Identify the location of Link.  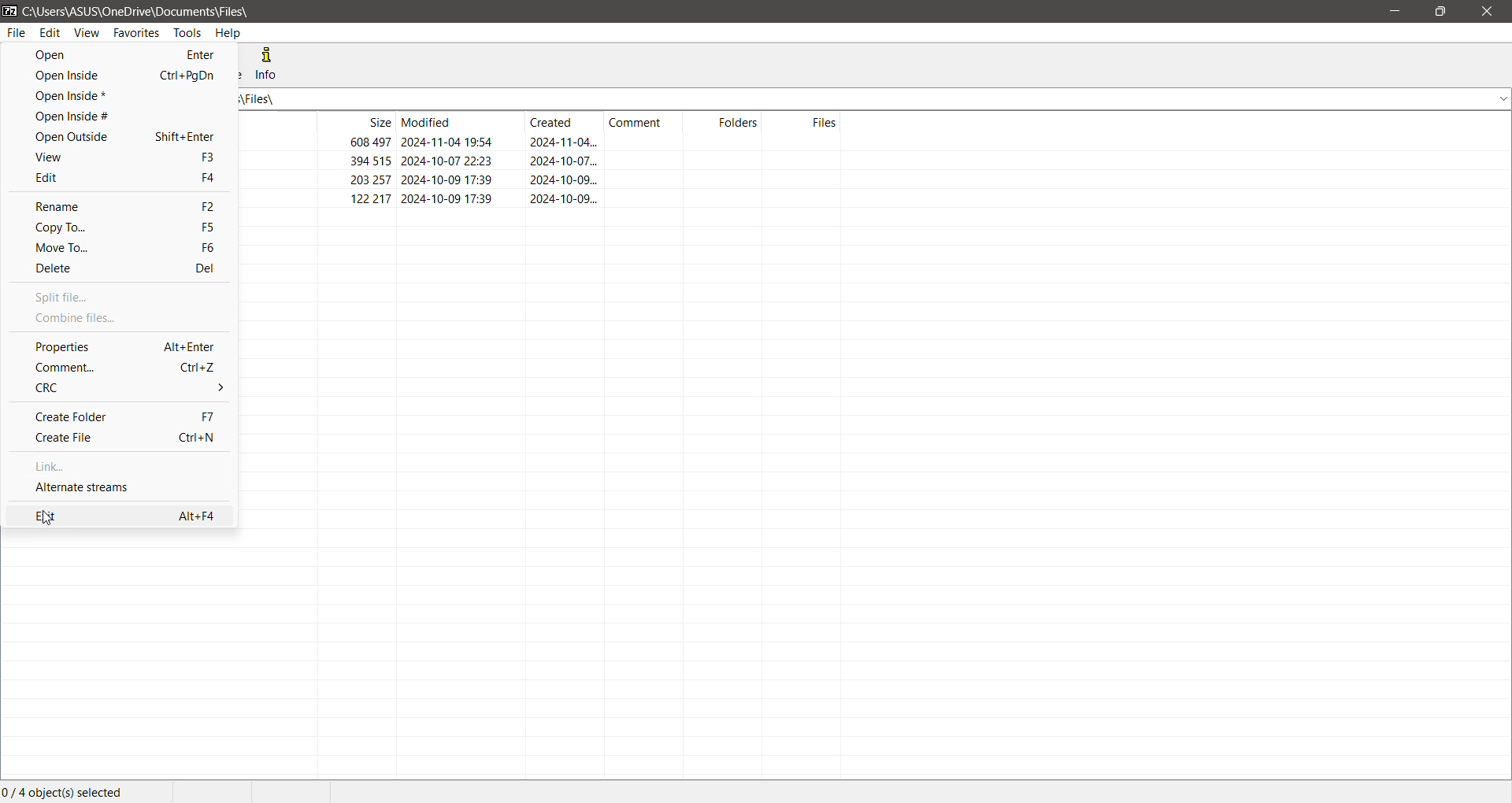
(57, 465).